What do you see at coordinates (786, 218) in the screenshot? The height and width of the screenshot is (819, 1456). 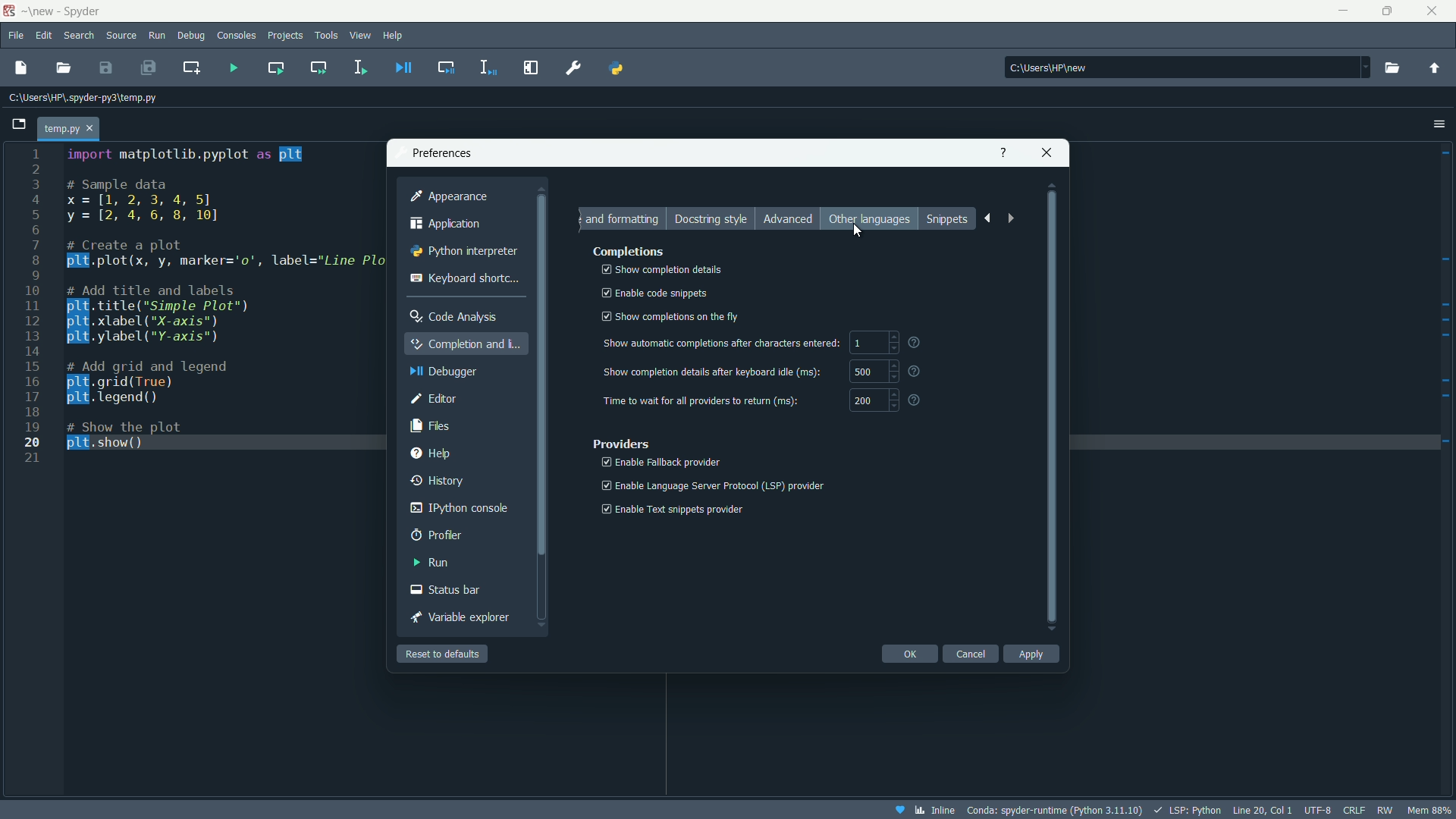 I see `advanced` at bounding box center [786, 218].